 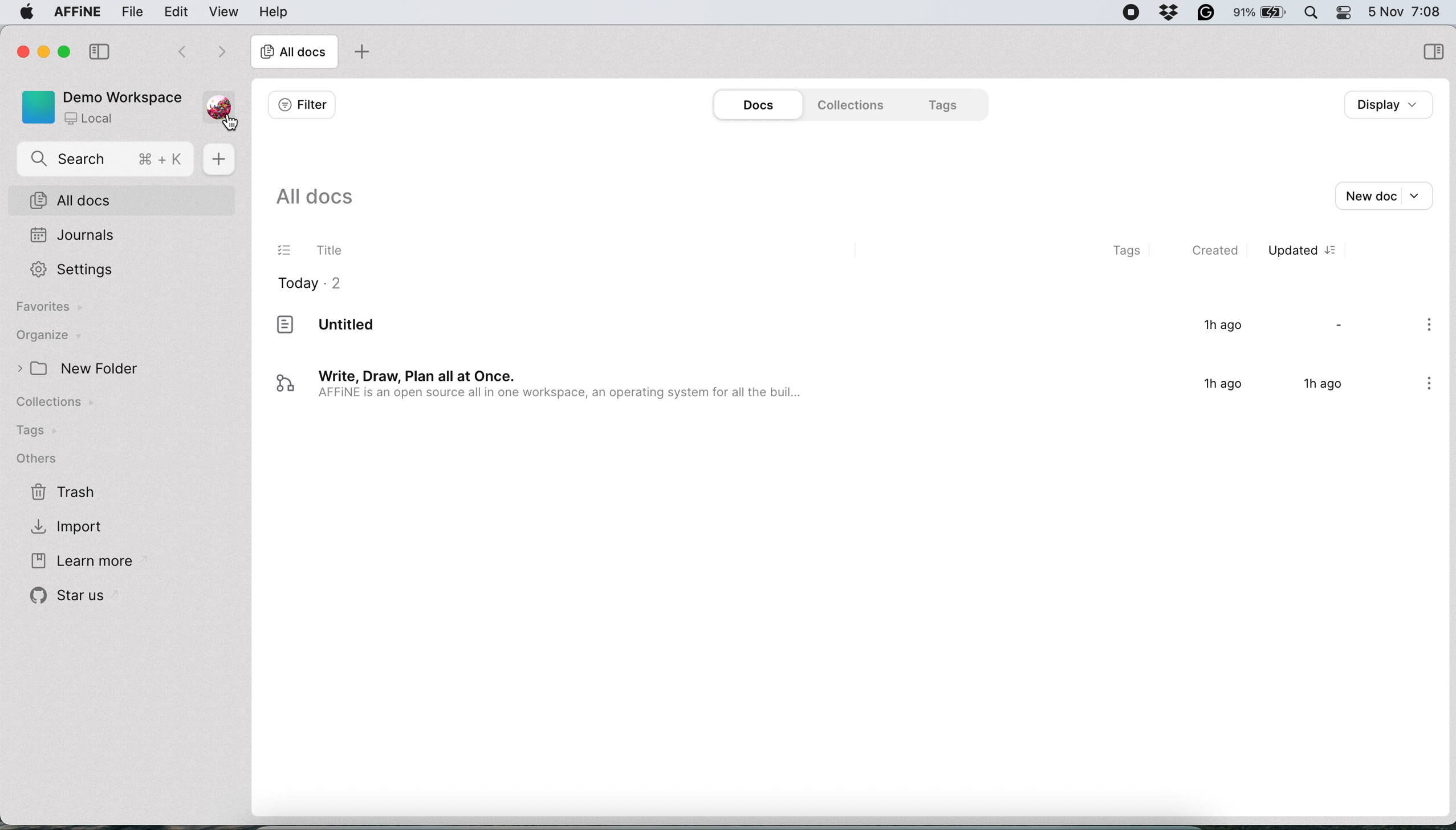 I want to click on tags, so click(x=39, y=432).